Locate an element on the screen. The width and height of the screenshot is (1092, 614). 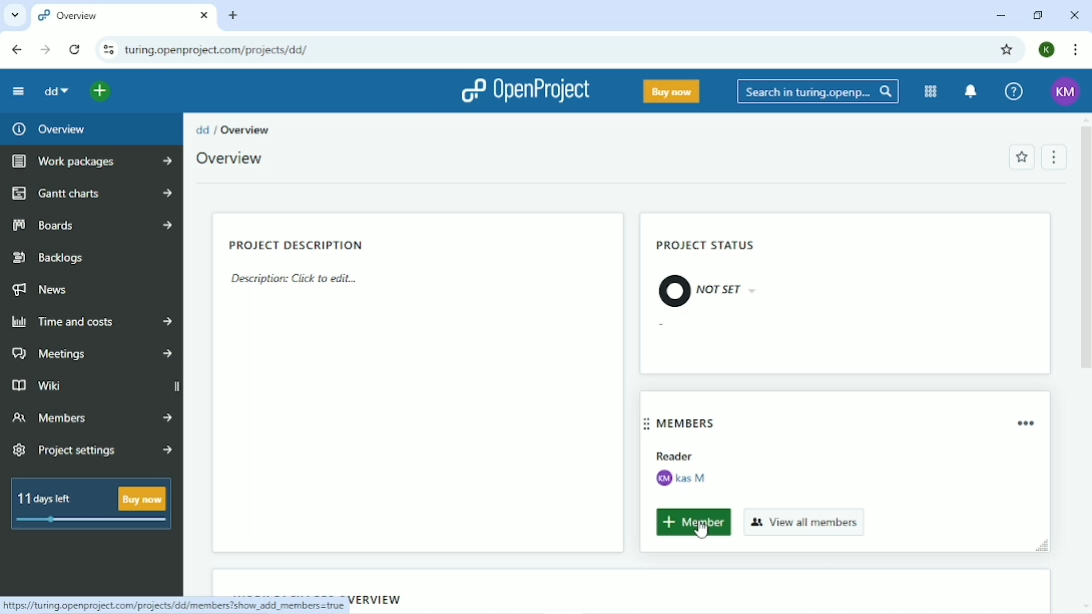
Account is located at coordinates (1046, 50).